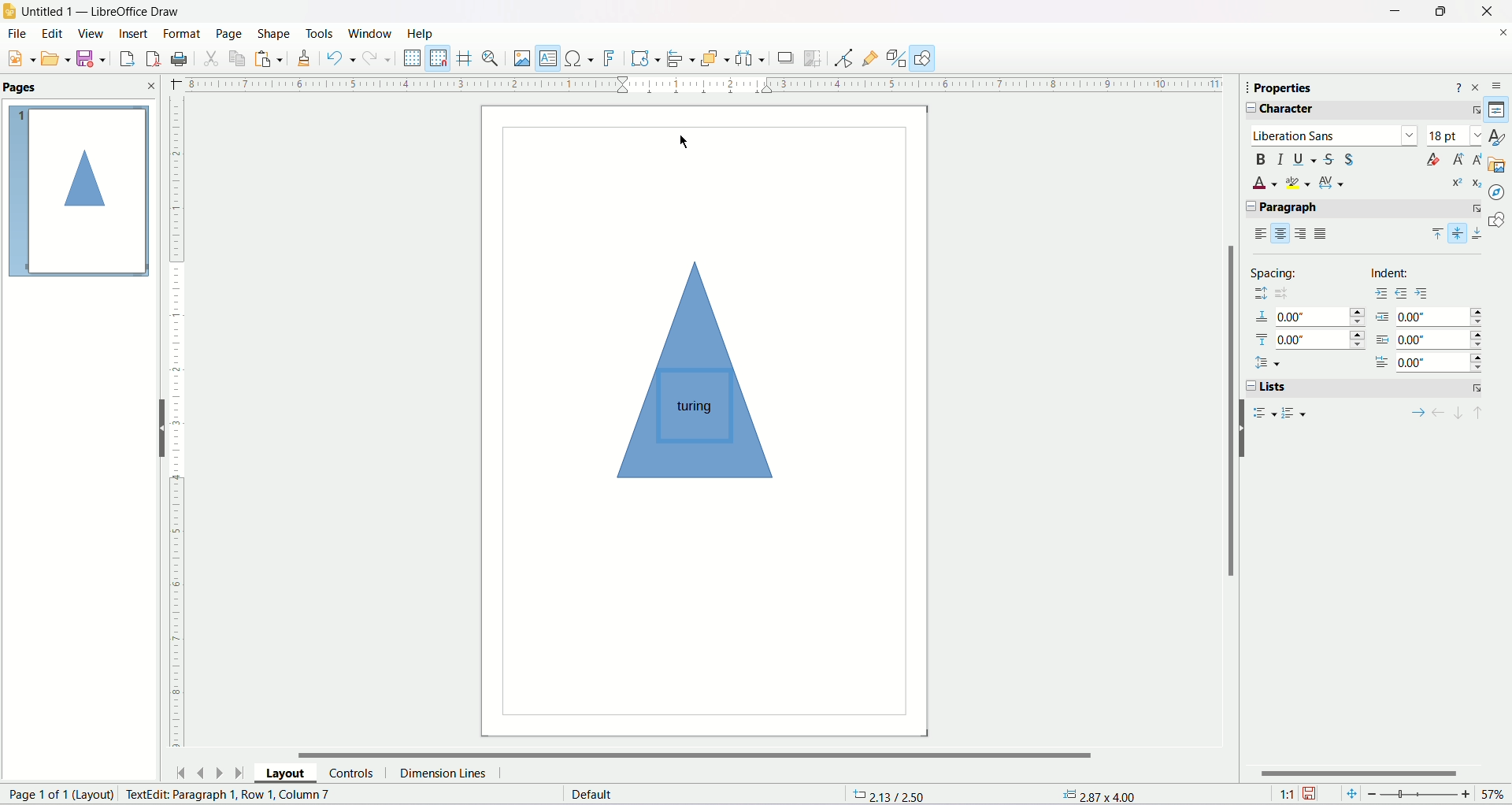 The image size is (1512, 805). I want to click on bold, so click(1261, 158).